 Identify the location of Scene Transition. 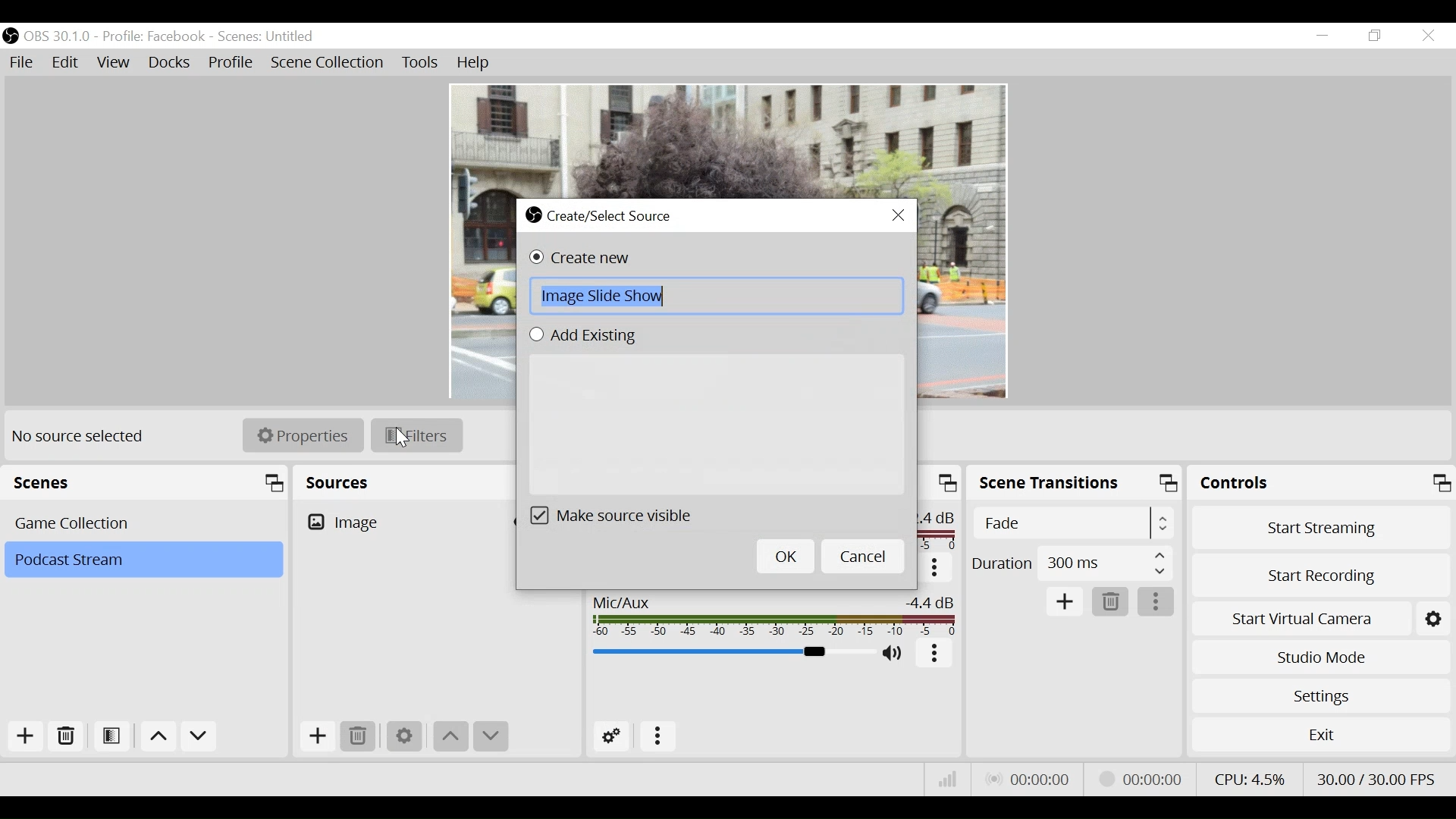
(1076, 485).